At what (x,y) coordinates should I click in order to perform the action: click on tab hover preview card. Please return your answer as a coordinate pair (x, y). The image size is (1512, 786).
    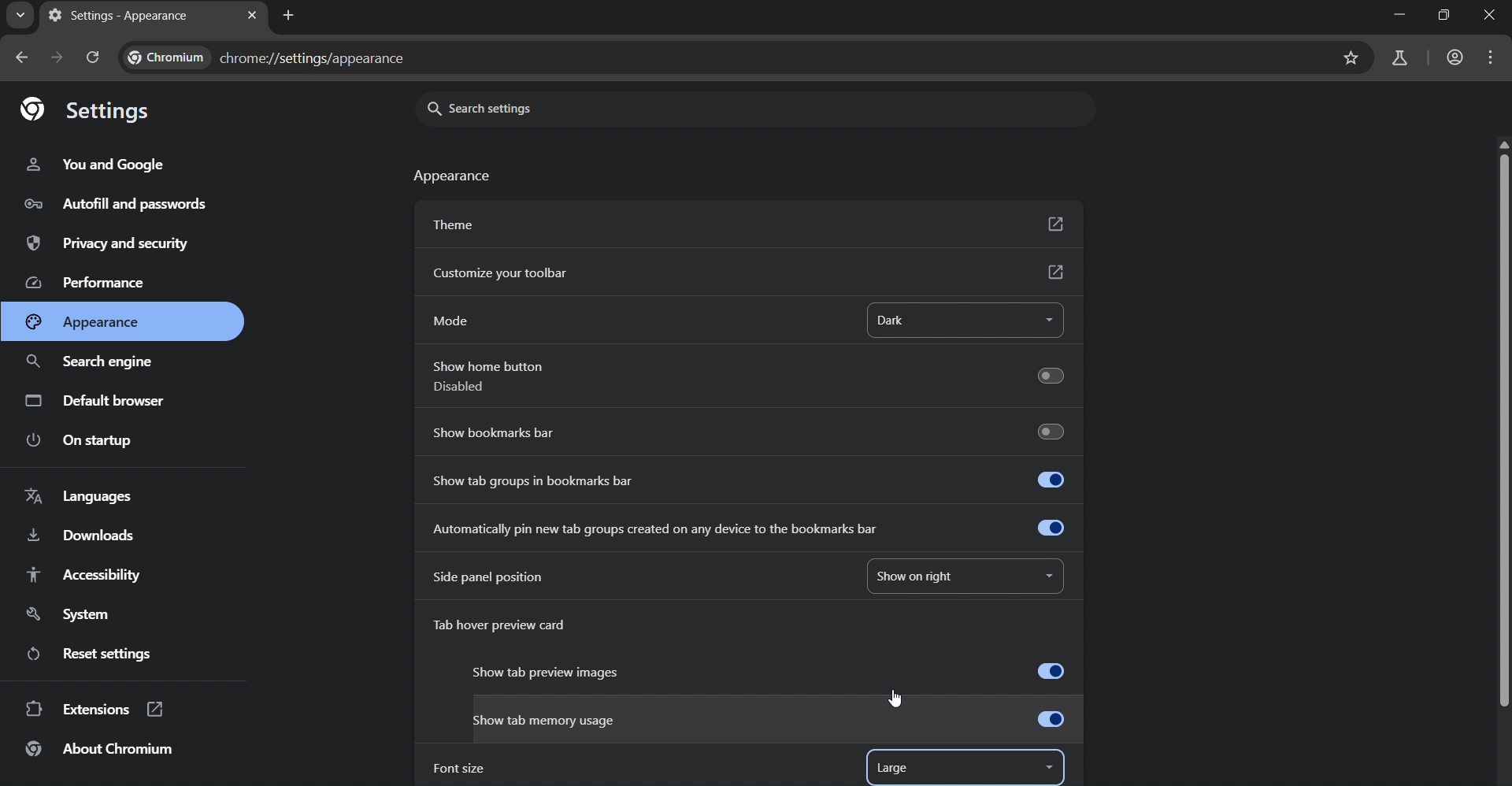
    Looking at the image, I should click on (512, 628).